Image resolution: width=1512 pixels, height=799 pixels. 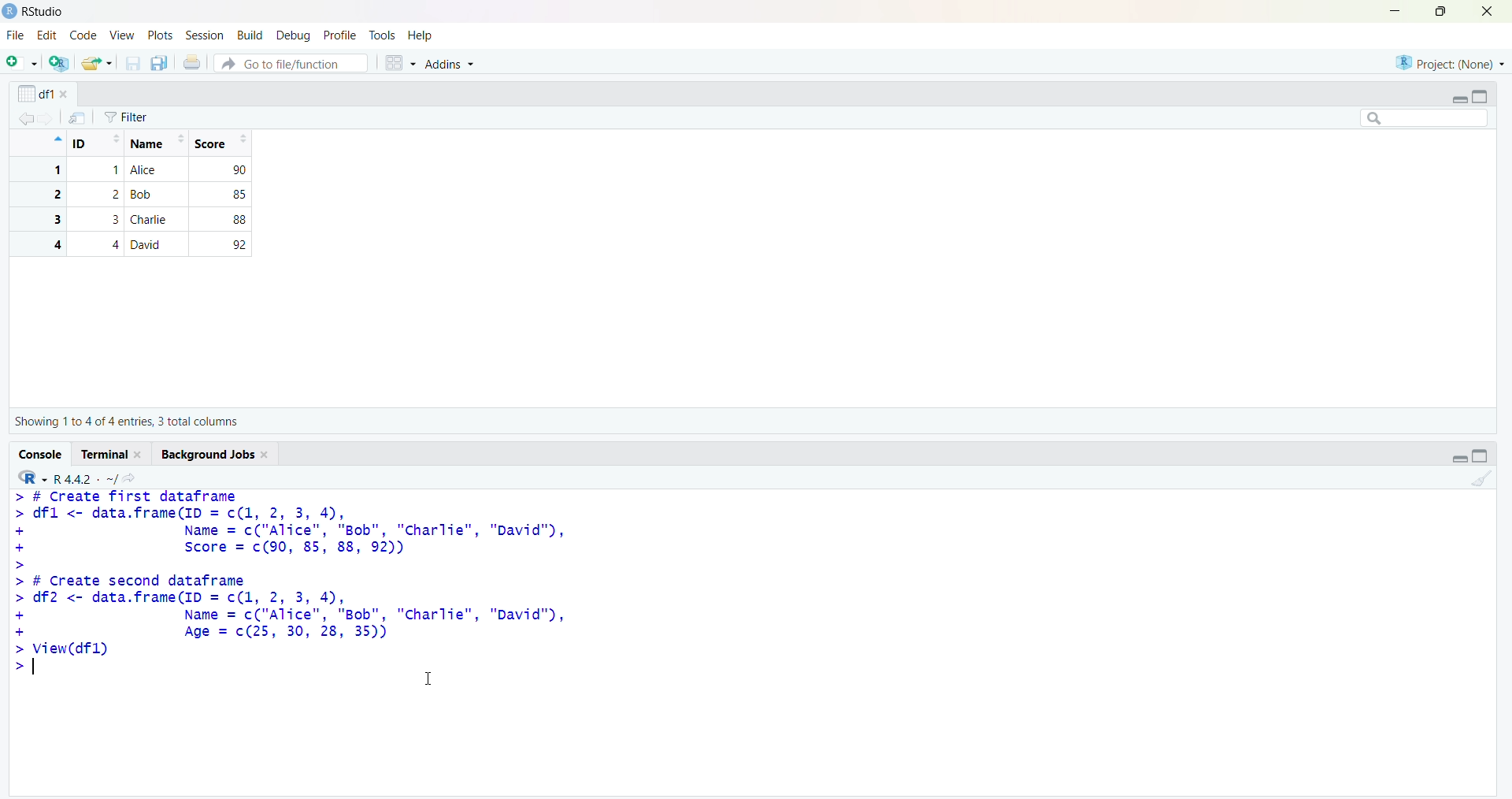 What do you see at coordinates (1480, 455) in the screenshot?
I see `toggle full view` at bounding box center [1480, 455].